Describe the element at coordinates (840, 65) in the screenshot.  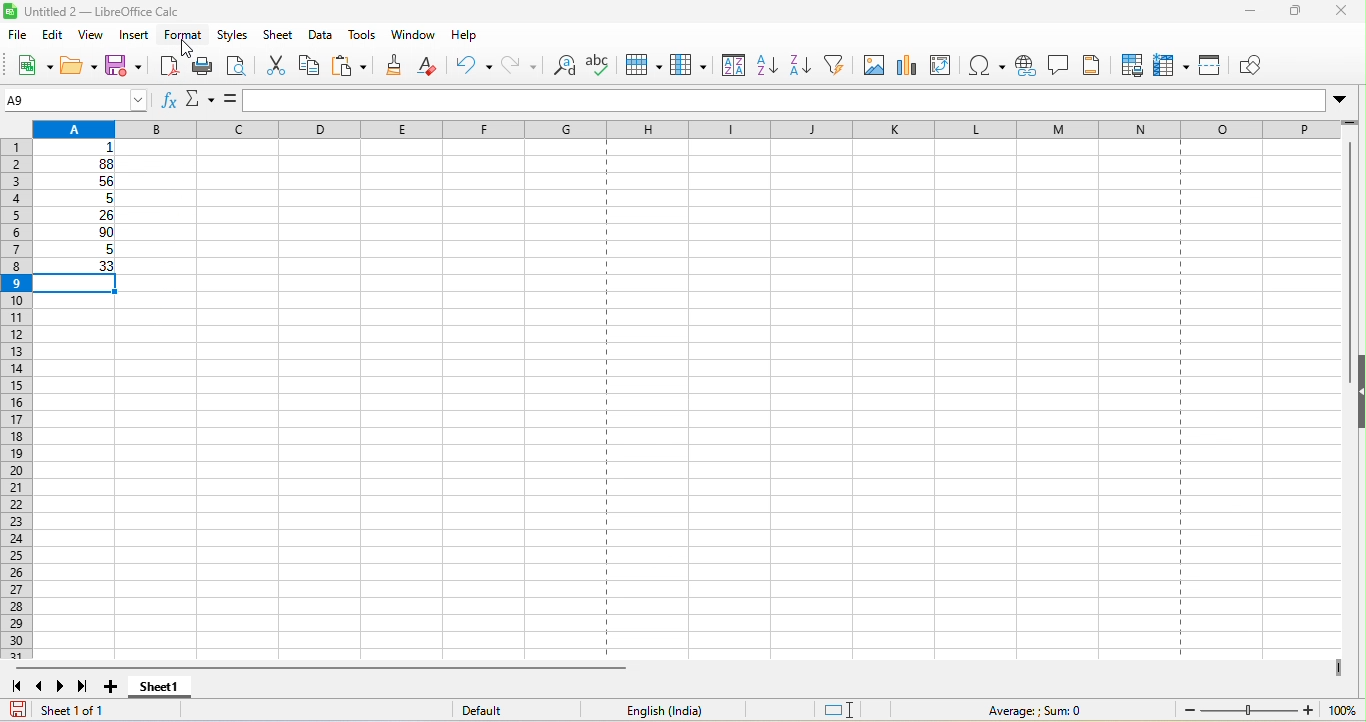
I see `auto filter` at that location.